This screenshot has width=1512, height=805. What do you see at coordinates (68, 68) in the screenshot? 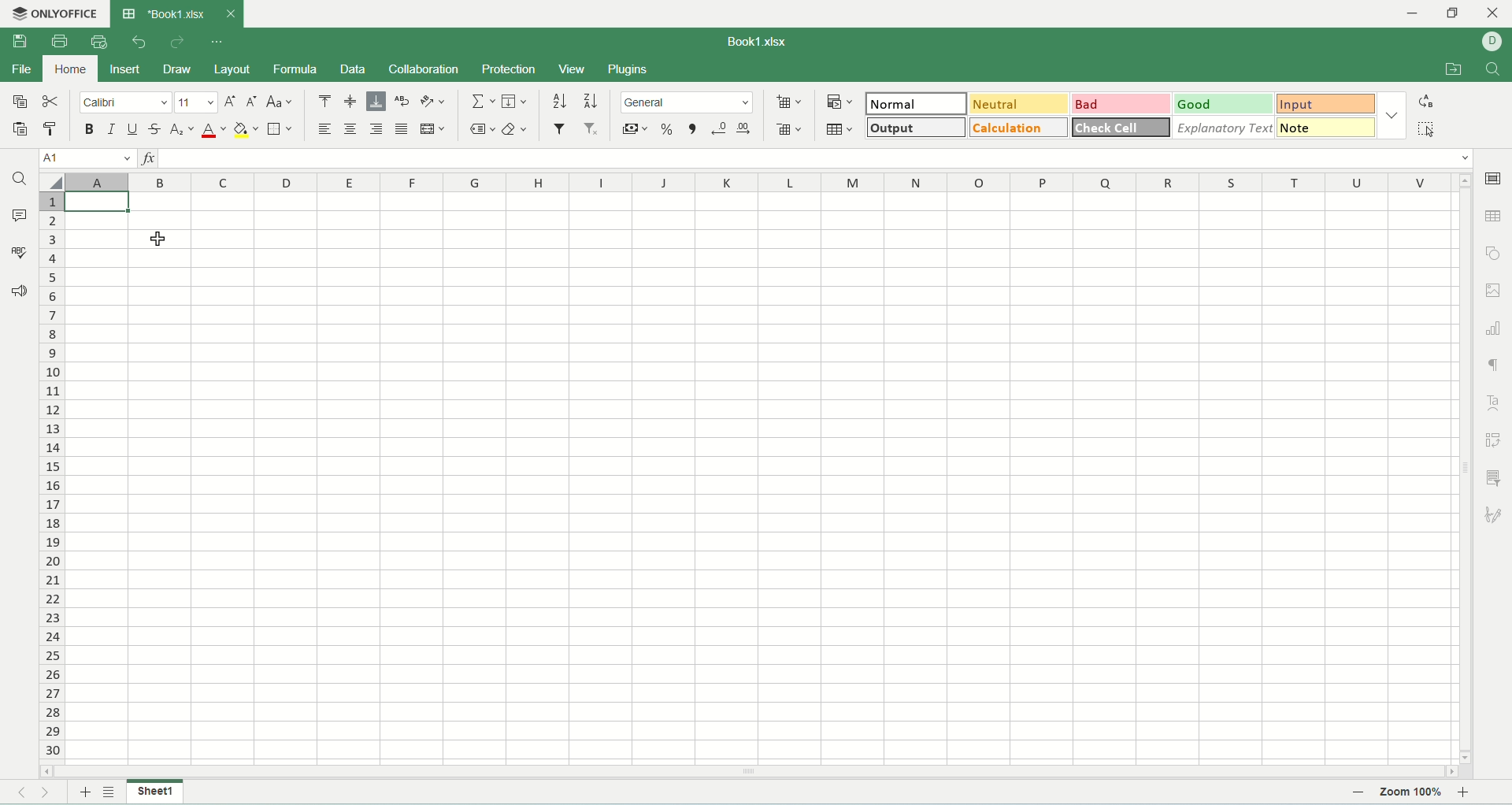
I see `home` at bounding box center [68, 68].